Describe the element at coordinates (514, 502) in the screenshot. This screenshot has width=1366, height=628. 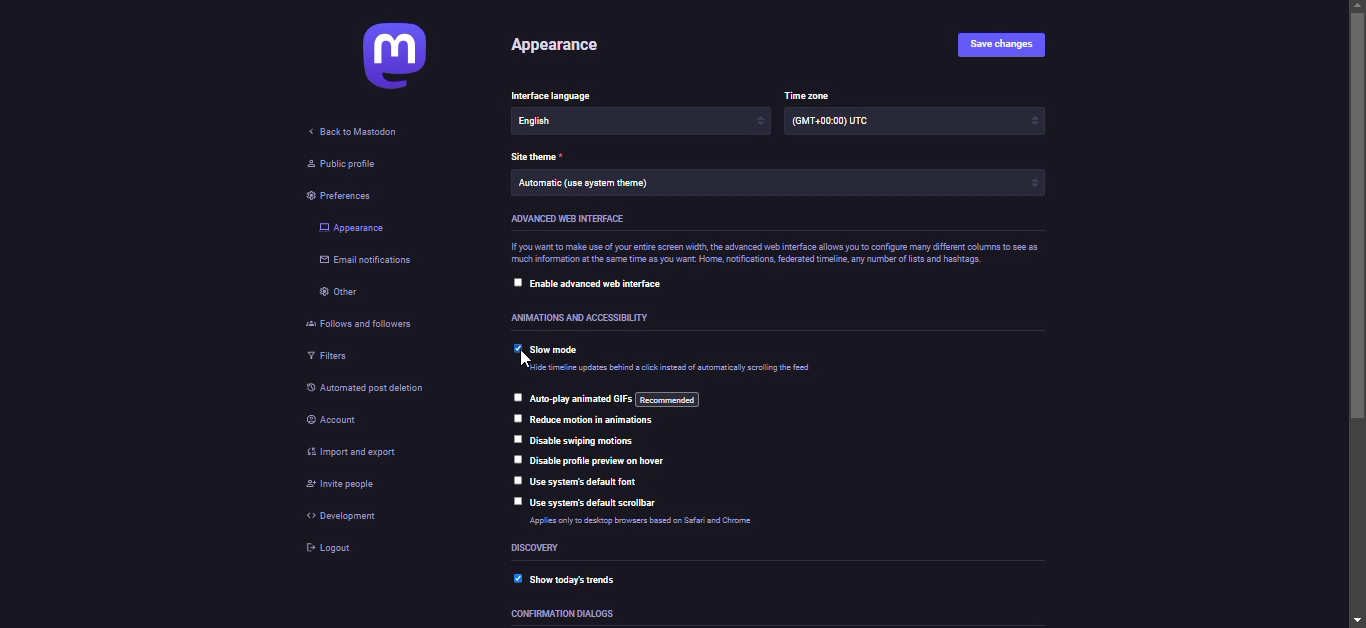
I see `click to select` at that location.